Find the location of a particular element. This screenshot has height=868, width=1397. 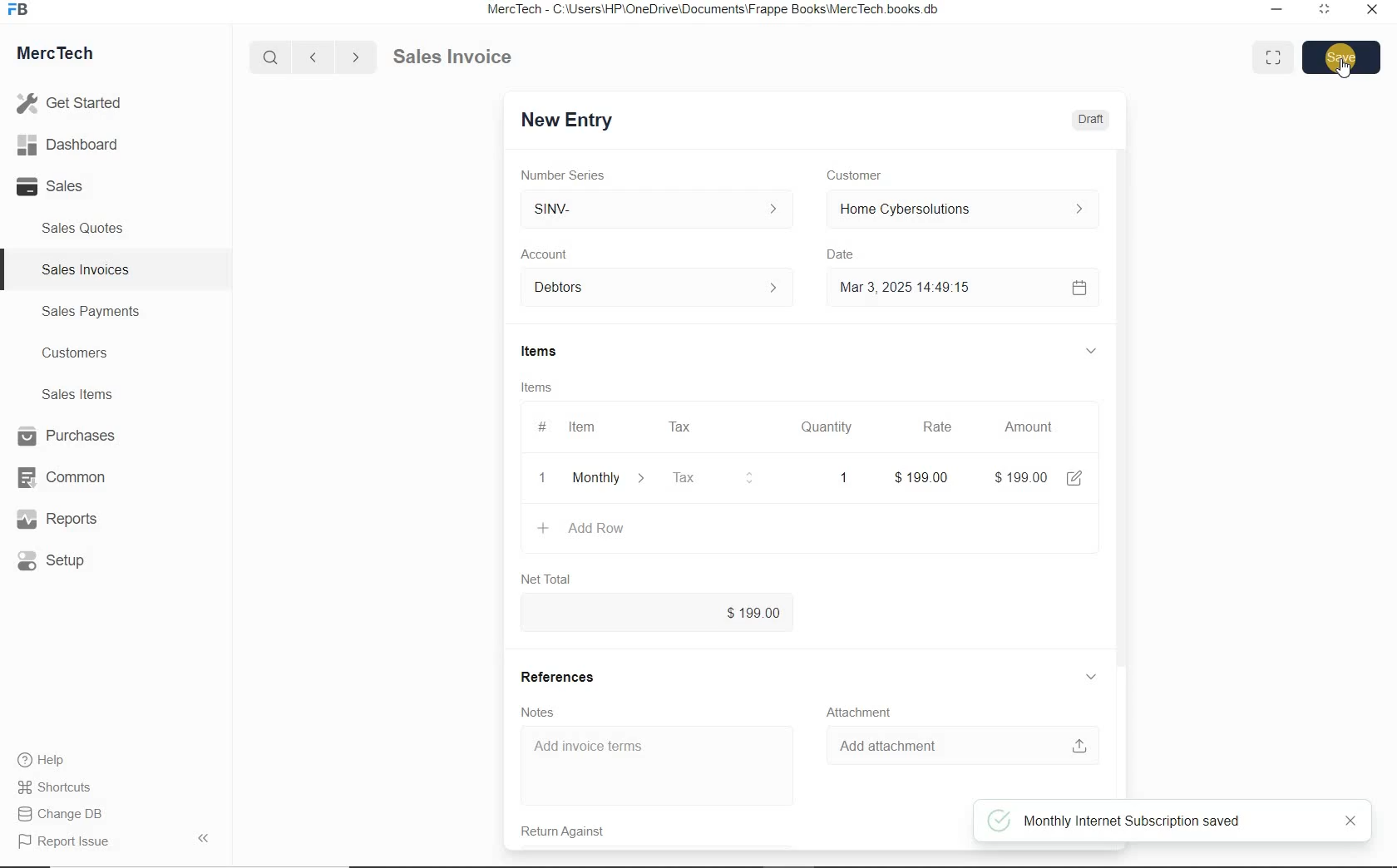

Calendar is located at coordinates (1078, 289).